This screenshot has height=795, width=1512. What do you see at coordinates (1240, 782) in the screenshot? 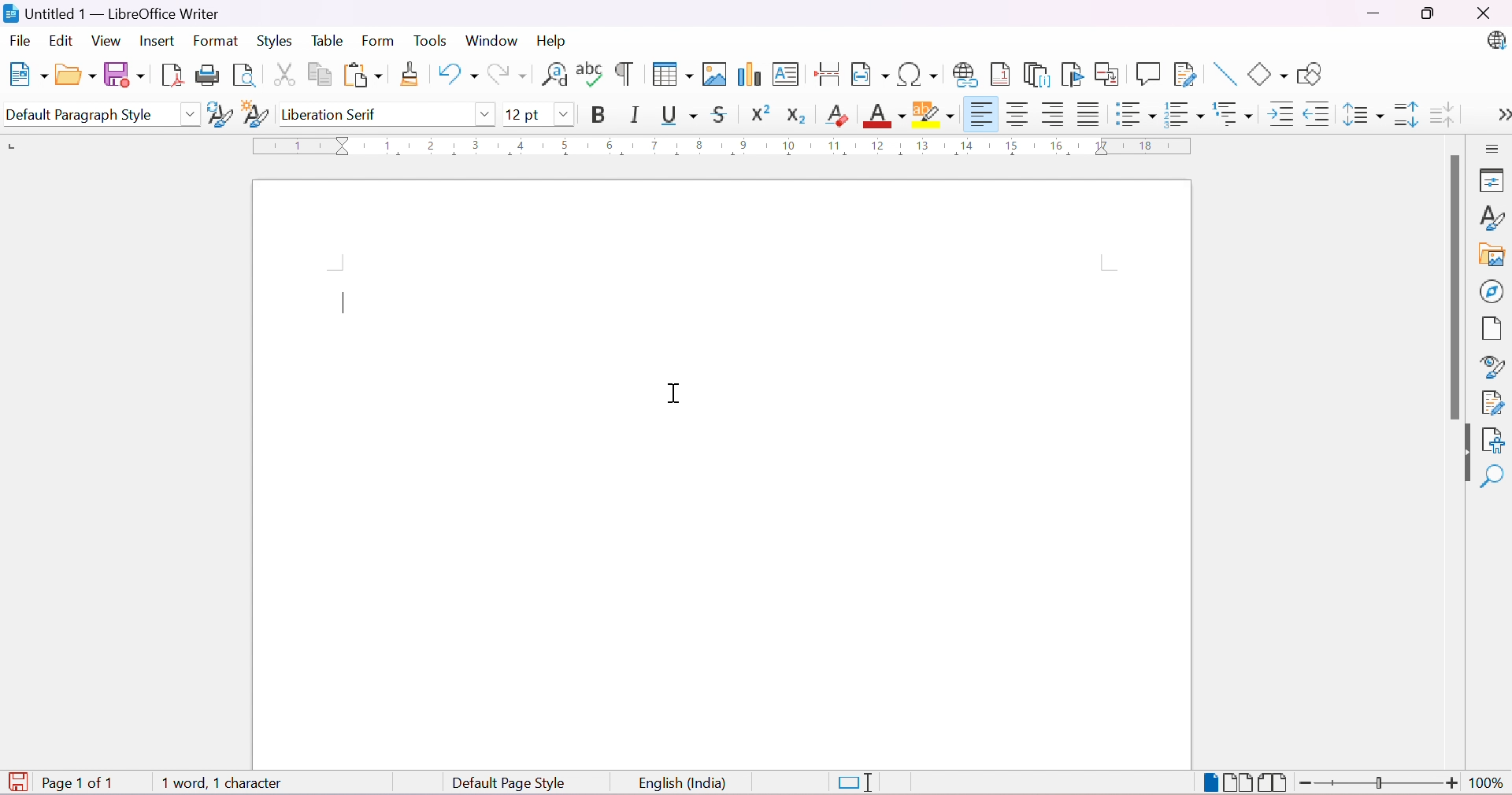
I see `Multiple-page View` at bounding box center [1240, 782].